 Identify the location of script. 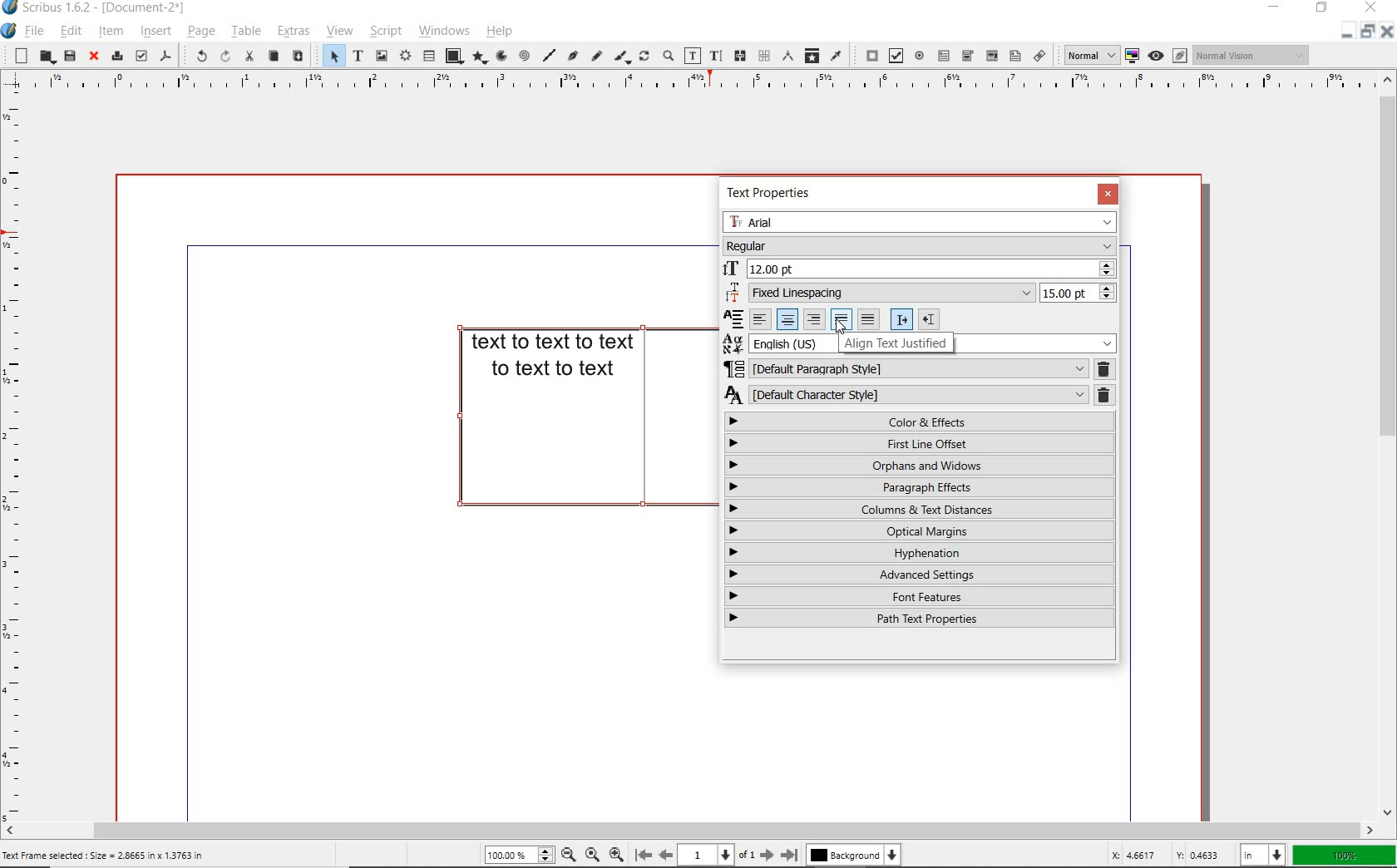
(383, 31).